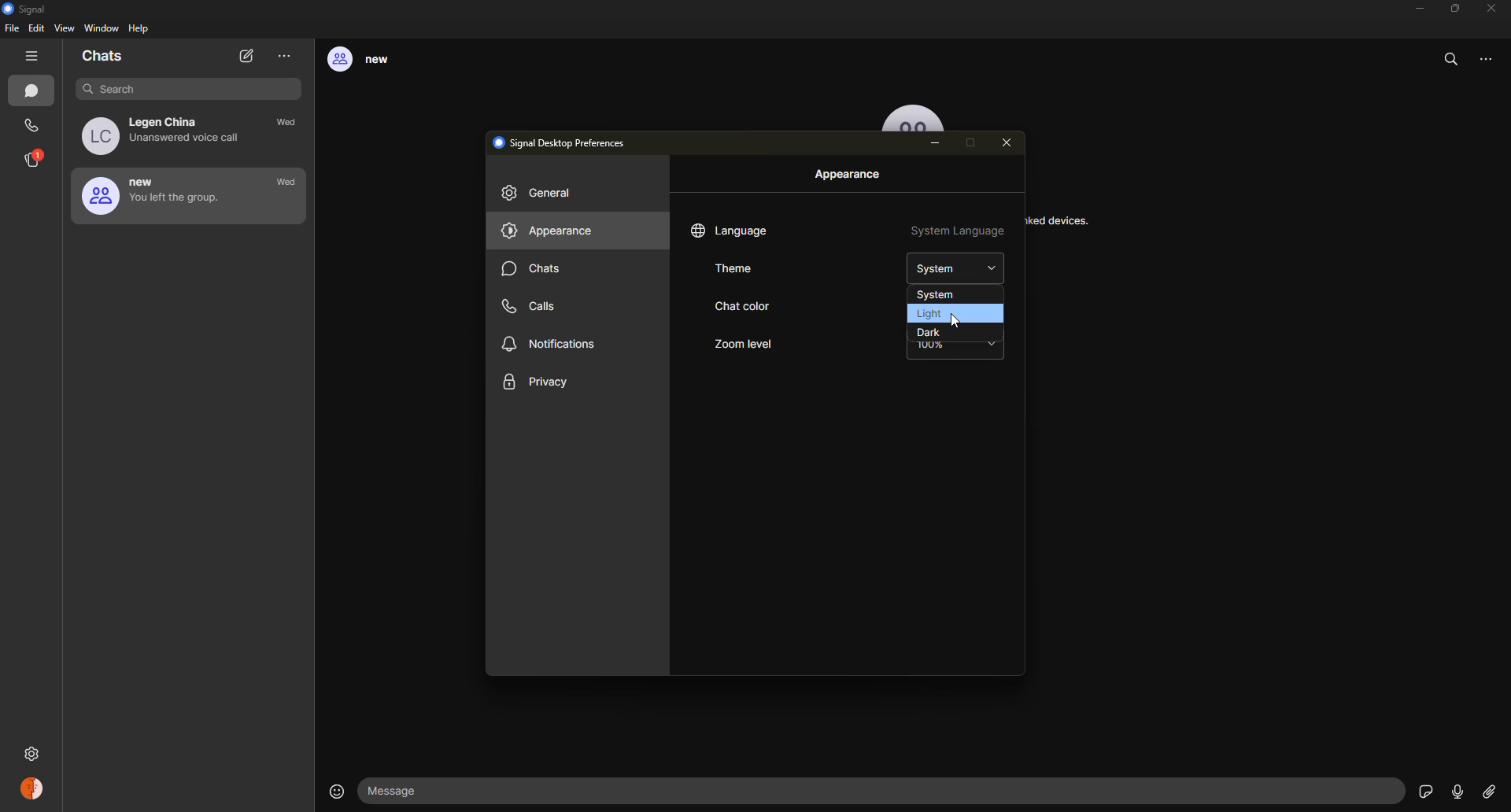 This screenshot has height=812, width=1511. What do you see at coordinates (1493, 8) in the screenshot?
I see `close` at bounding box center [1493, 8].